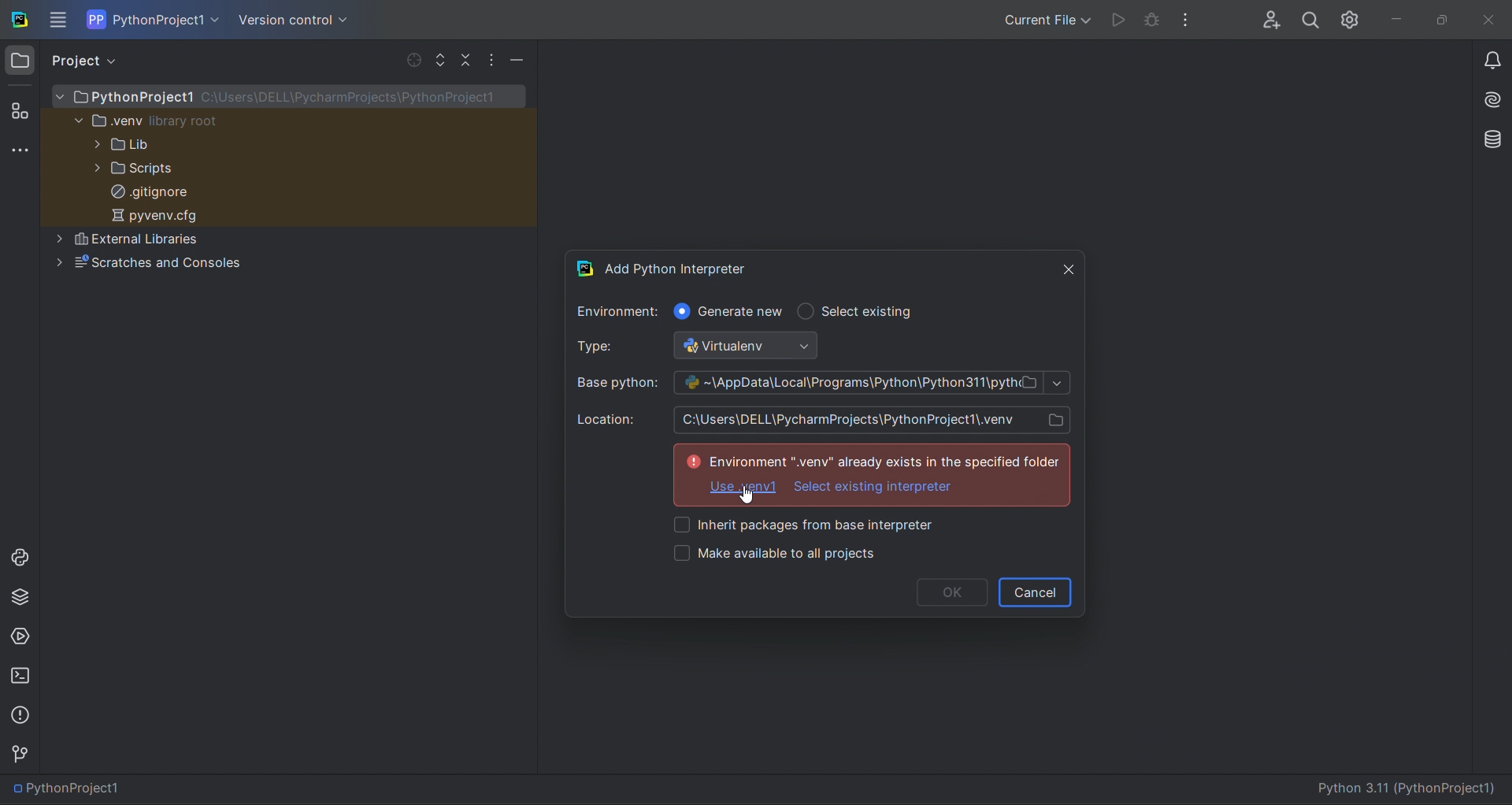 This screenshot has width=1512, height=805. What do you see at coordinates (22, 754) in the screenshot?
I see `version control` at bounding box center [22, 754].